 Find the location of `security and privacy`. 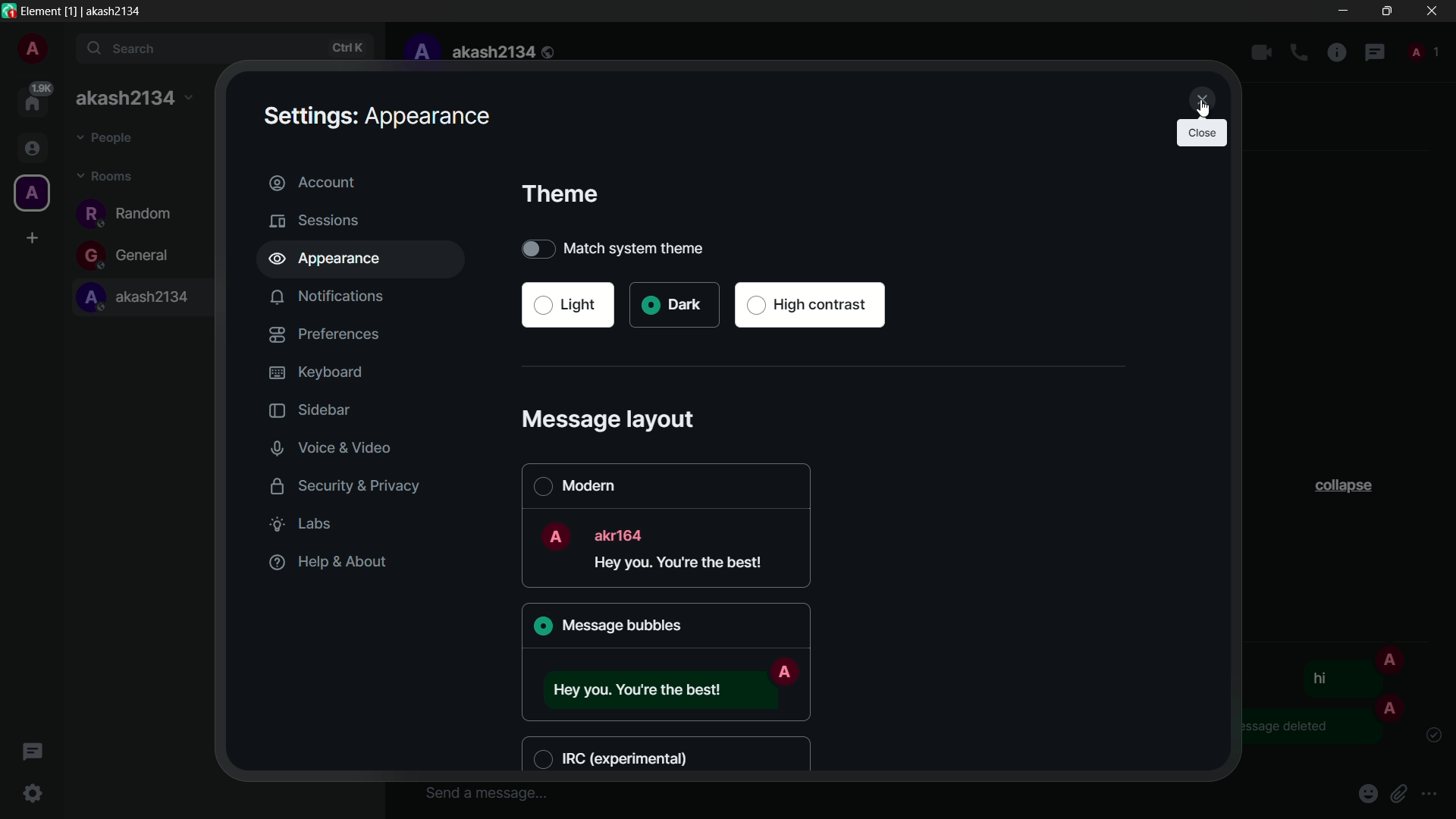

security and privacy is located at coordinates (338, 485).